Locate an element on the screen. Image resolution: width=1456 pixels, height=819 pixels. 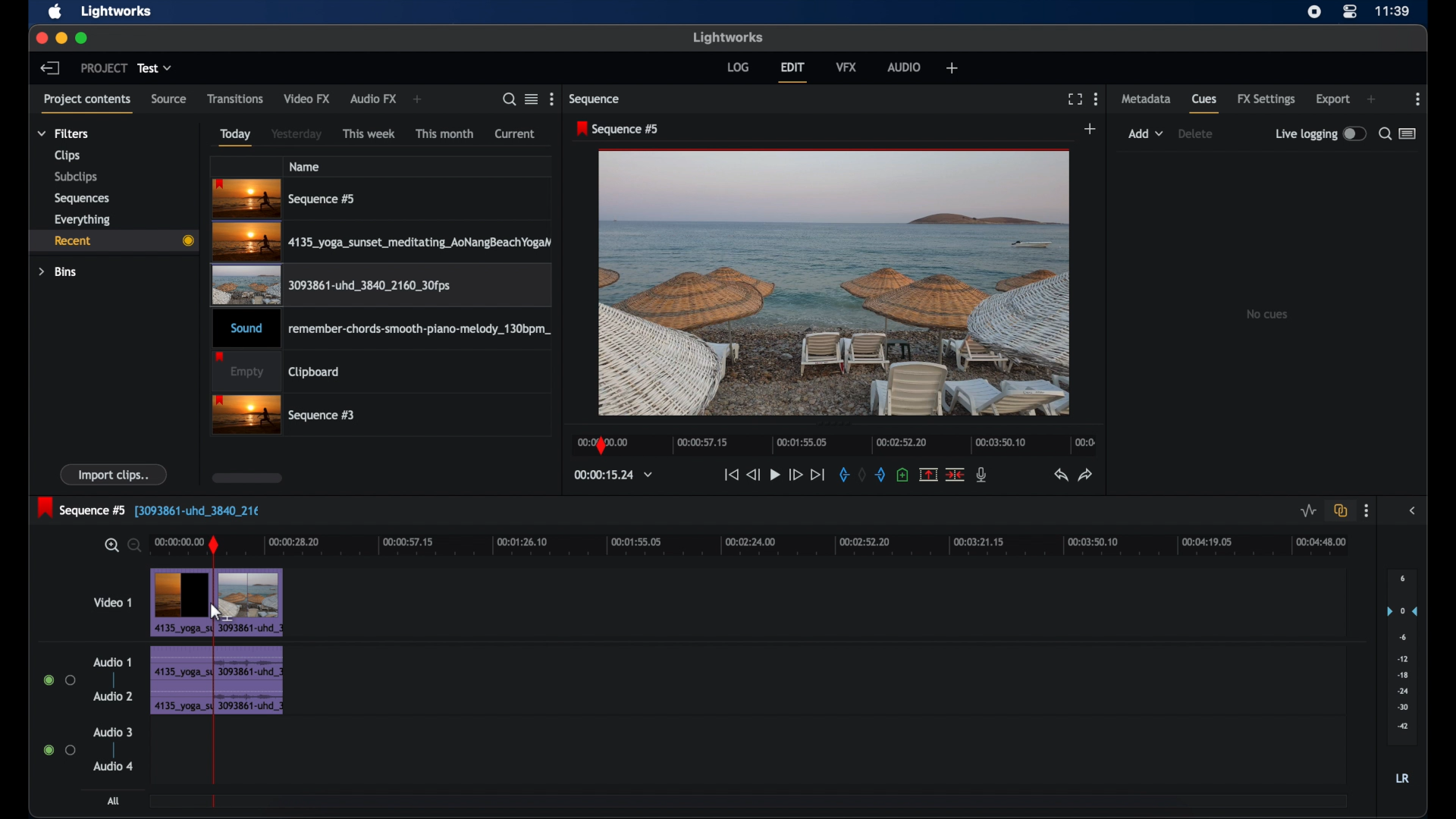
video preview is located at coordinates (836, 282).